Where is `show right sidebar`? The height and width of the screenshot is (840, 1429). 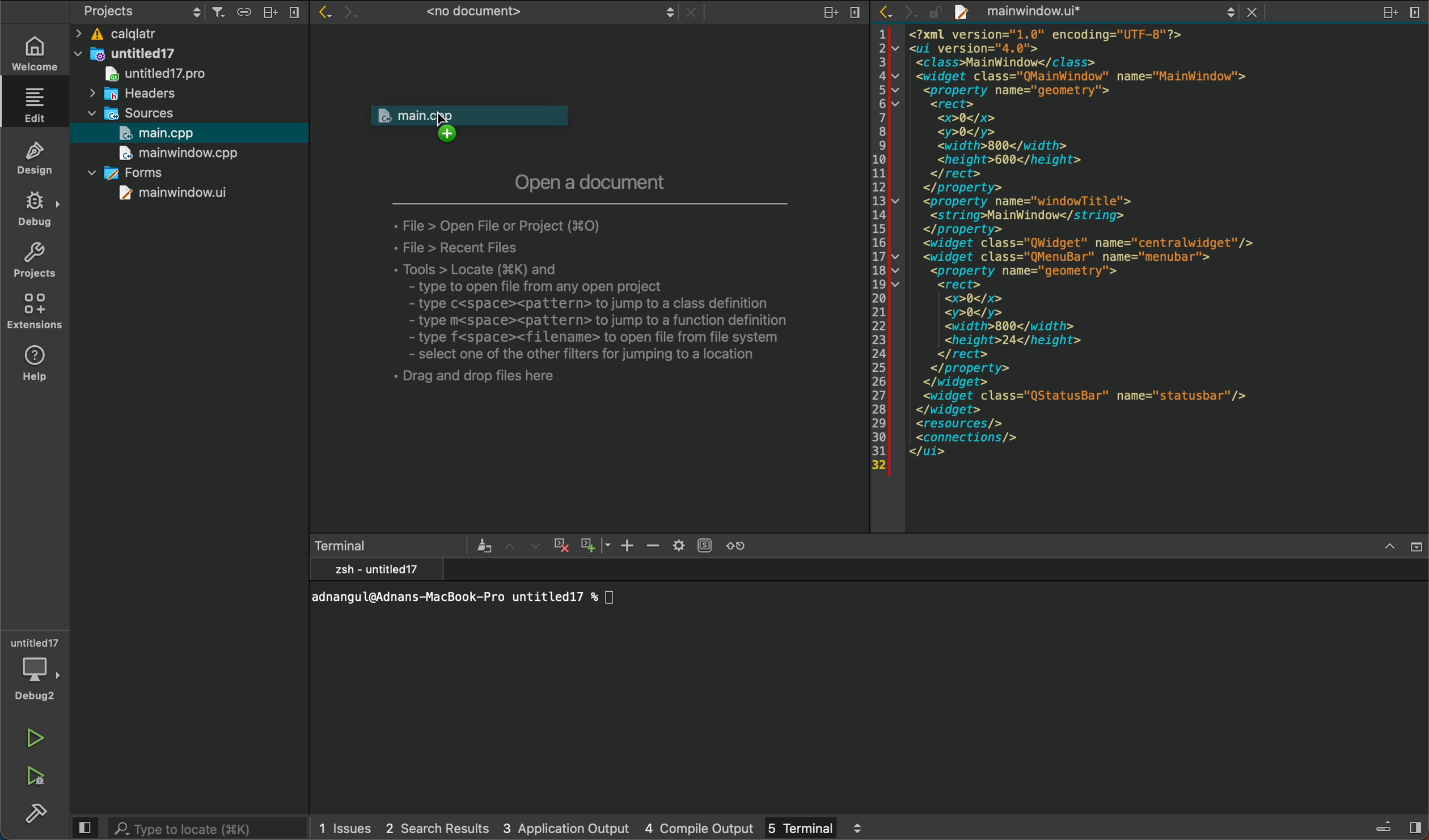 show right sidebar is located at coordinates (1415, 826).